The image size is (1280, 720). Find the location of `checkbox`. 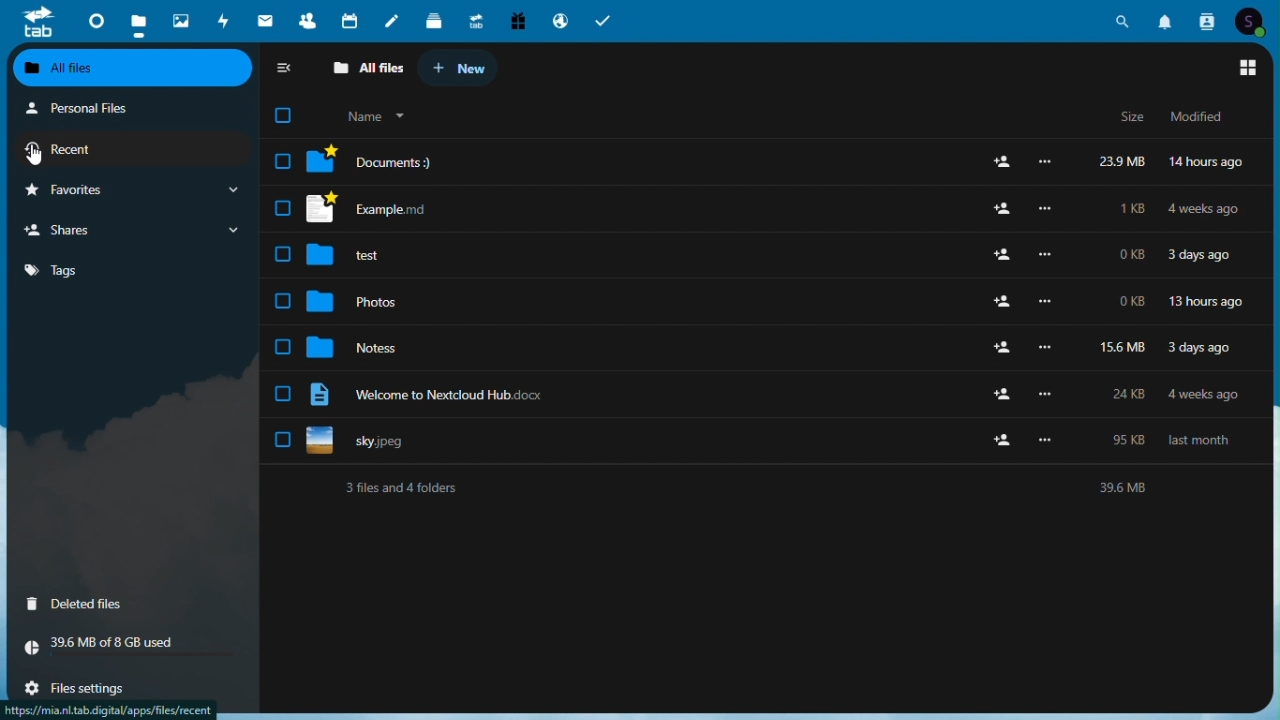

checkbox is located at coordinates (292, 116).